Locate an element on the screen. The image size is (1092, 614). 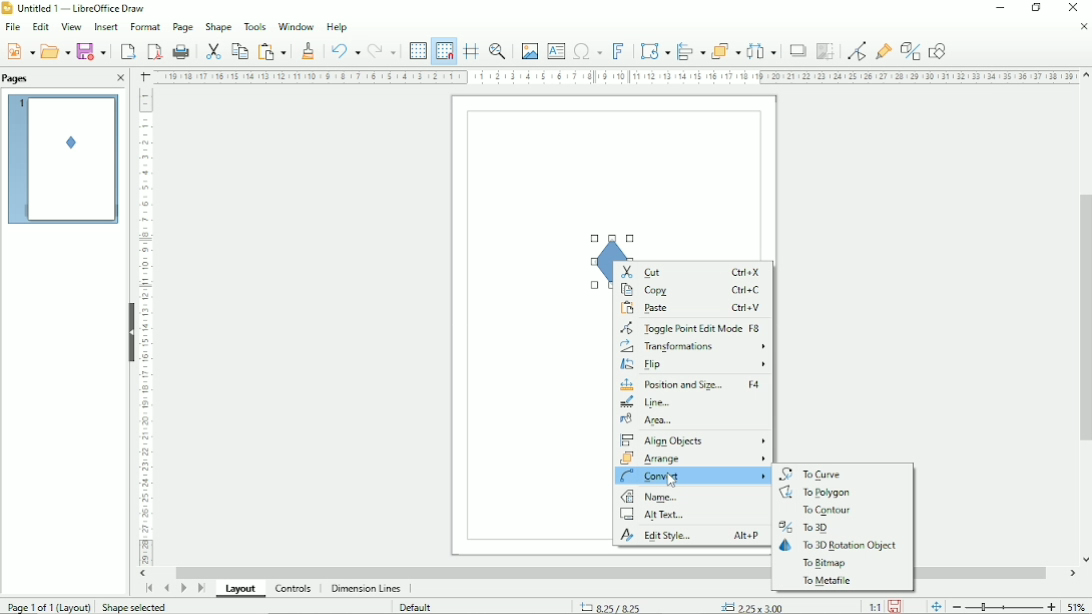
Distribute is located at coordinates (762, 51).